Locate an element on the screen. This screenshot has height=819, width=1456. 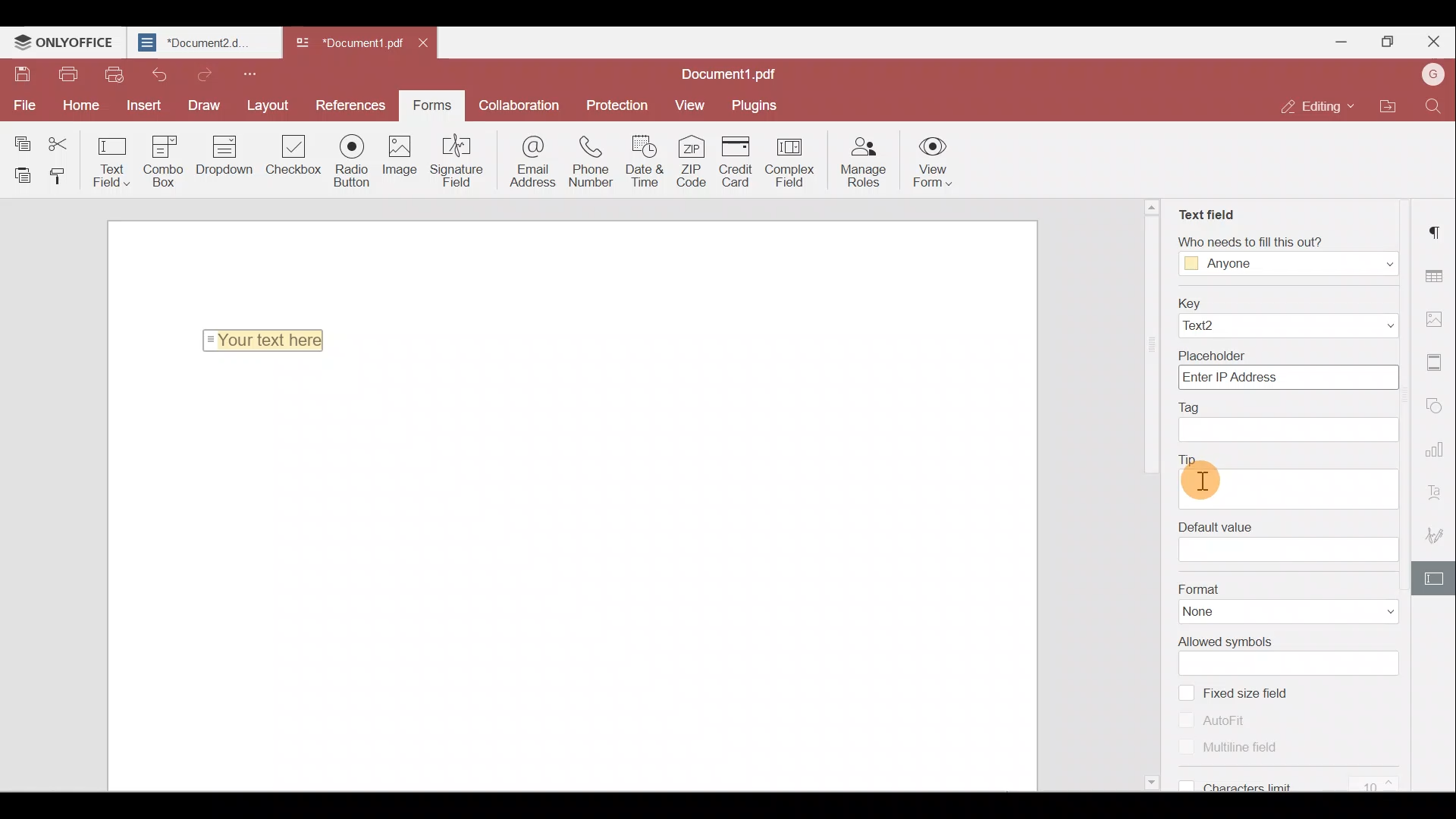
Complex field is located at coordinates (795, 161).